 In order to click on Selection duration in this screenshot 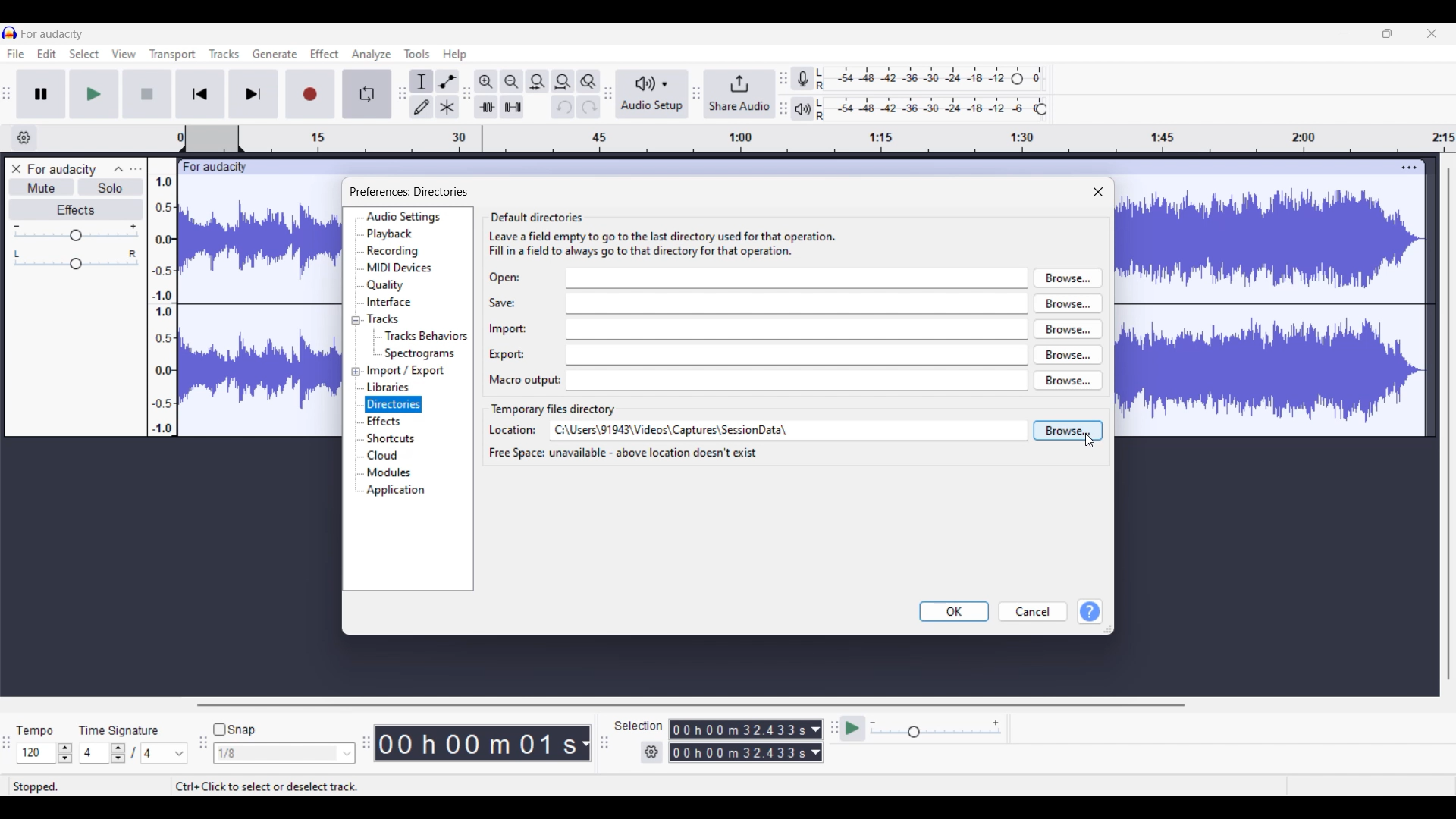, I will do `click(739, 741)`.